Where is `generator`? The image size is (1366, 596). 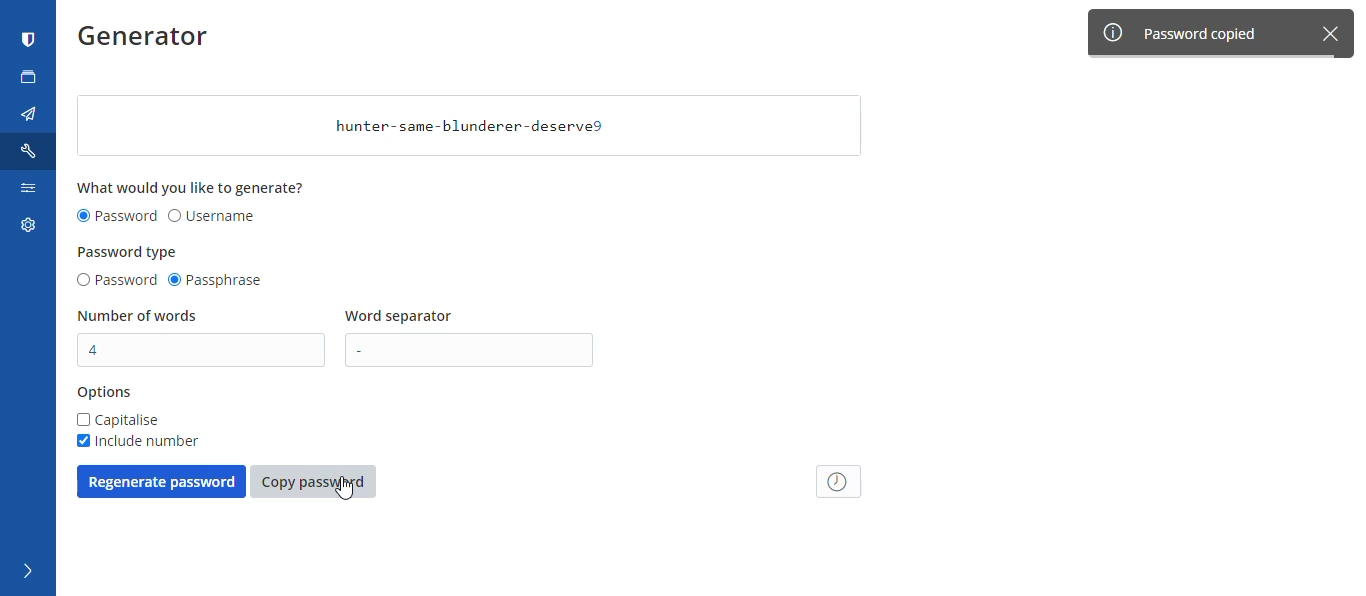
generator is located at coordinates (150, 40).